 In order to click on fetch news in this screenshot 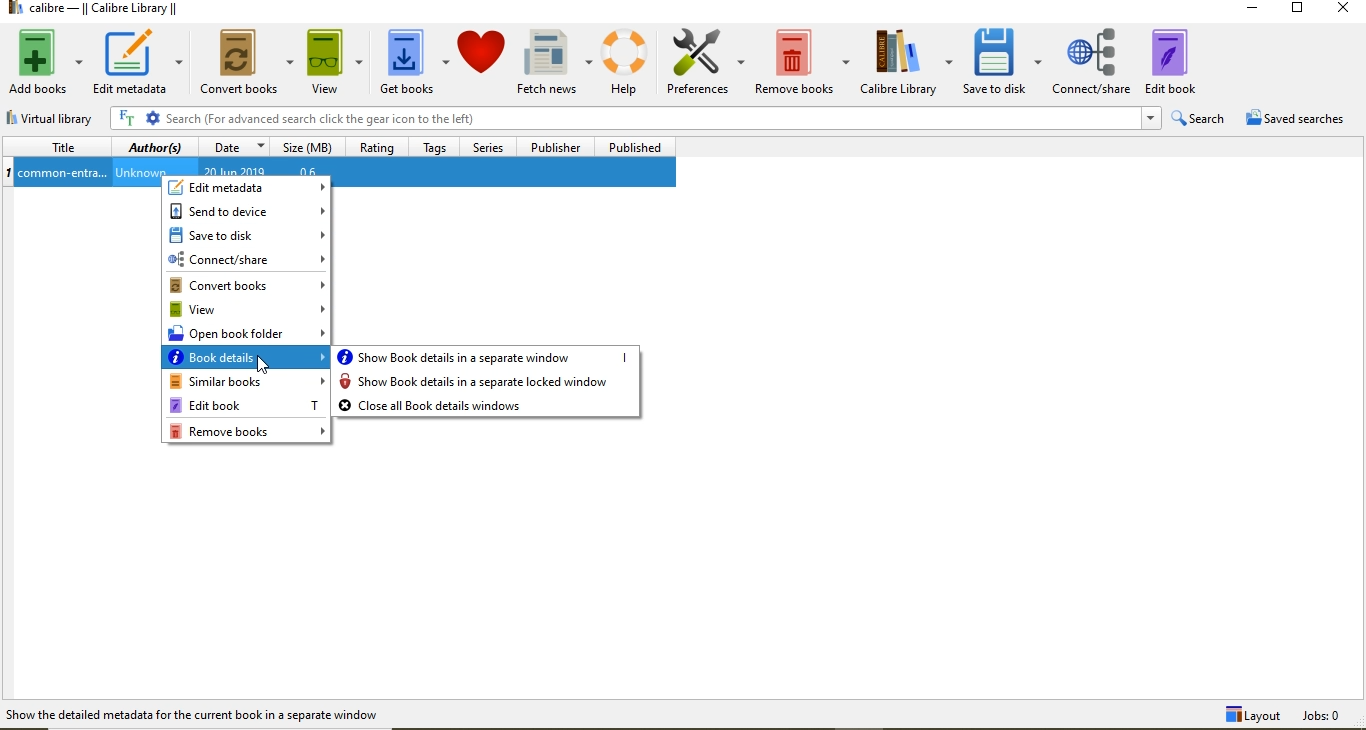, I will do `click(557, 60)`.